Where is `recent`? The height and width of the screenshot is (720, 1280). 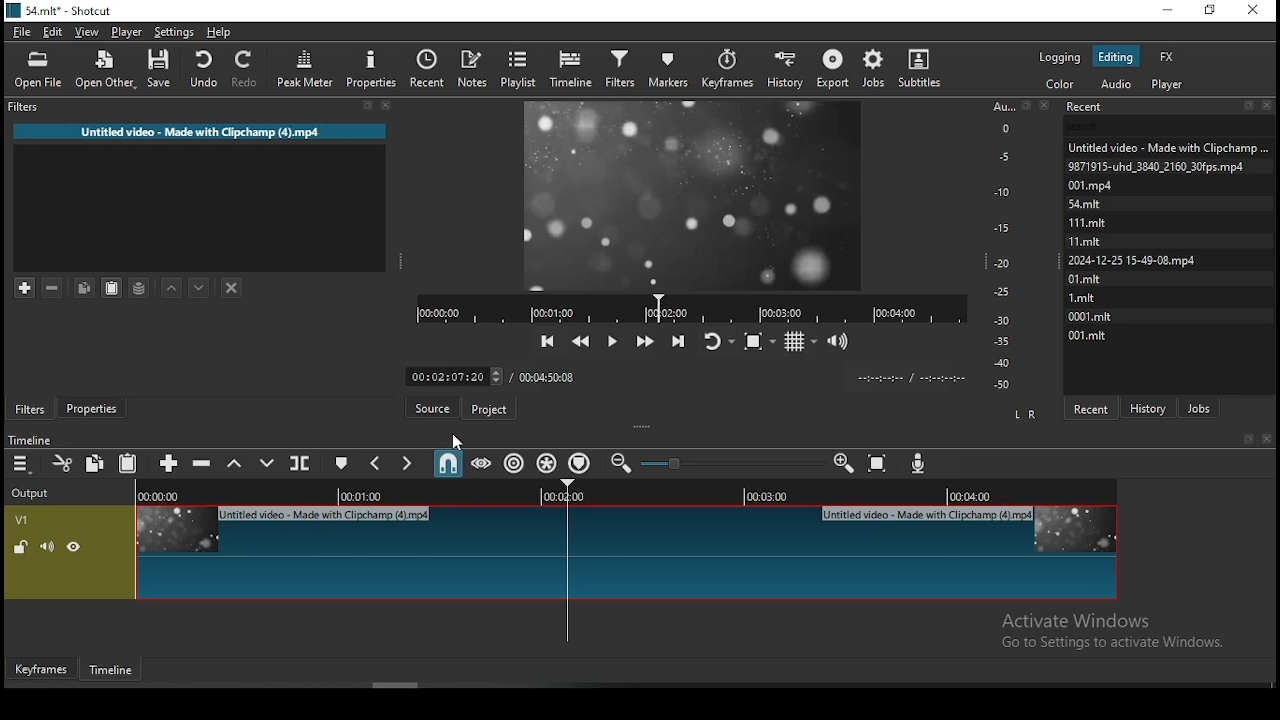 recent is located at coordinates (1095, 407).